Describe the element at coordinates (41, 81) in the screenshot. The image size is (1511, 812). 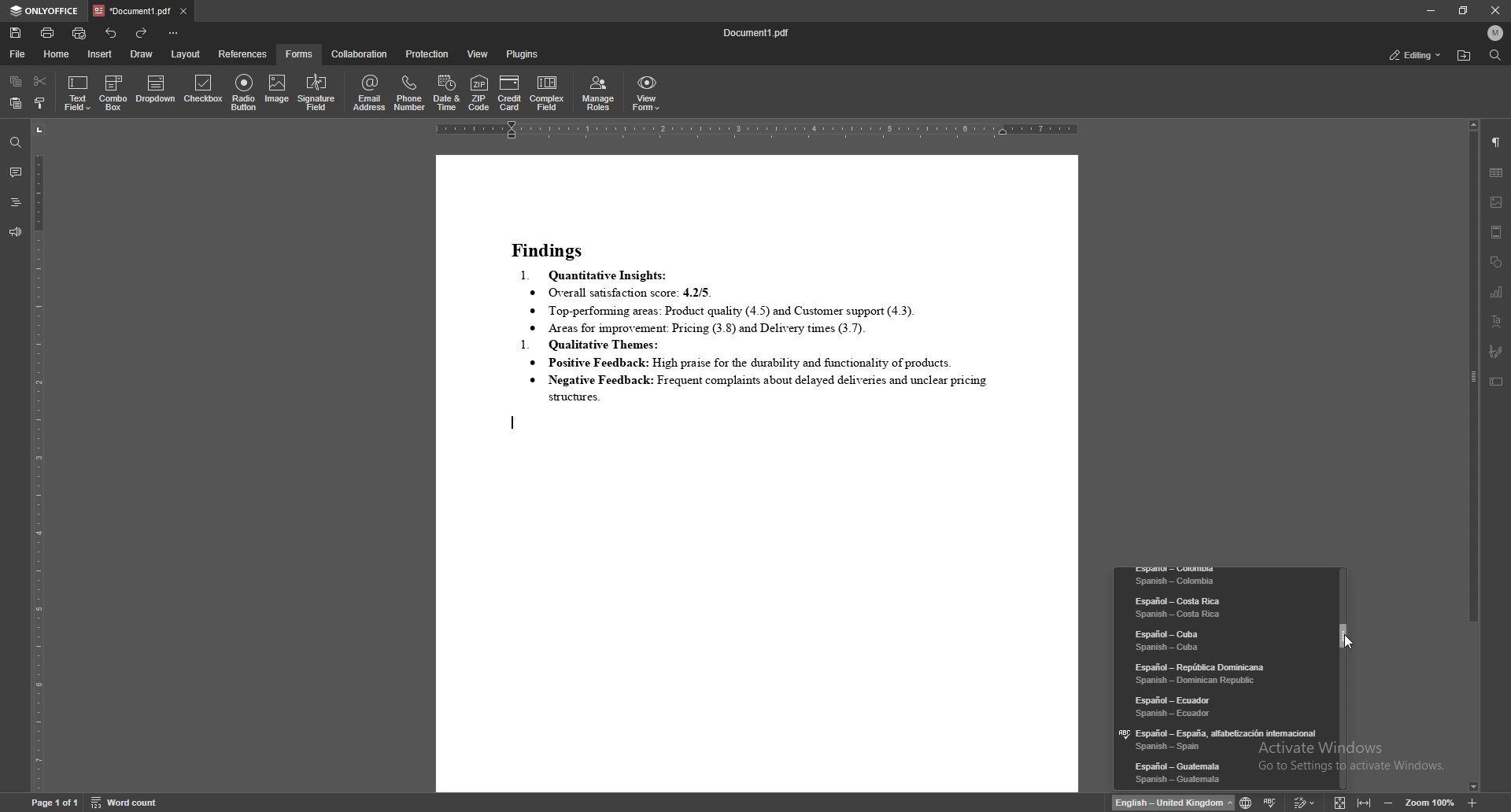
I see `cut` at that location.